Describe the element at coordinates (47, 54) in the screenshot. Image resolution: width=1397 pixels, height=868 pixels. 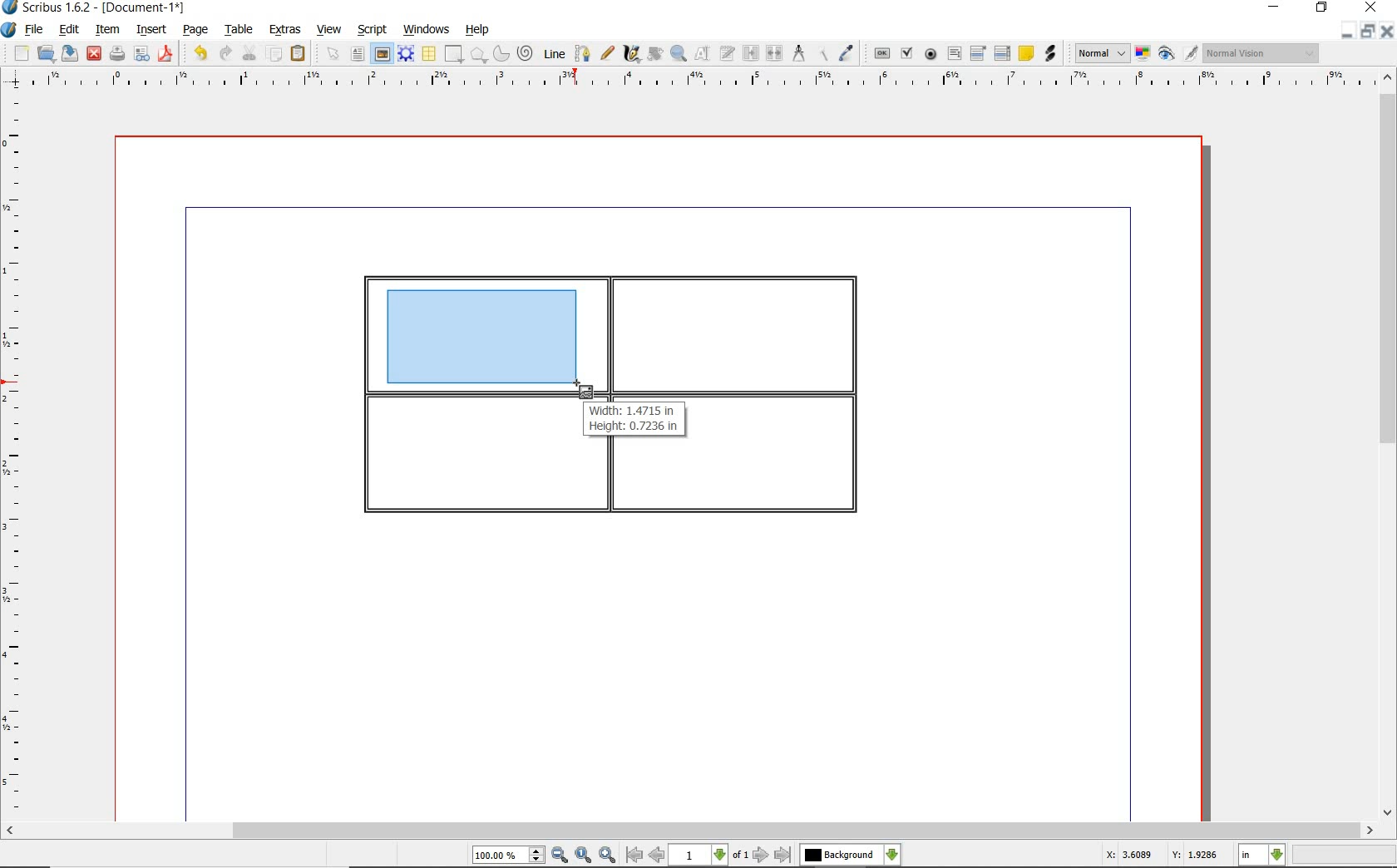
I see `open` at that location.